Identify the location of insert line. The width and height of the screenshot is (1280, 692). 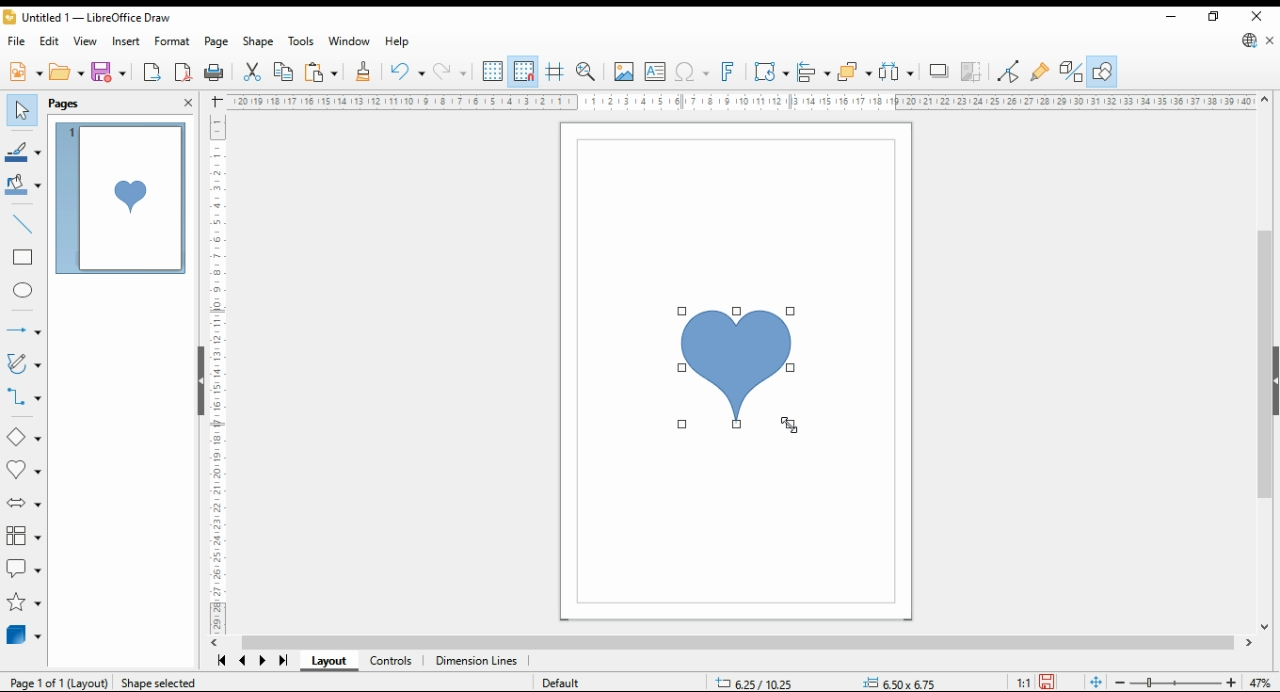
(23, 222).